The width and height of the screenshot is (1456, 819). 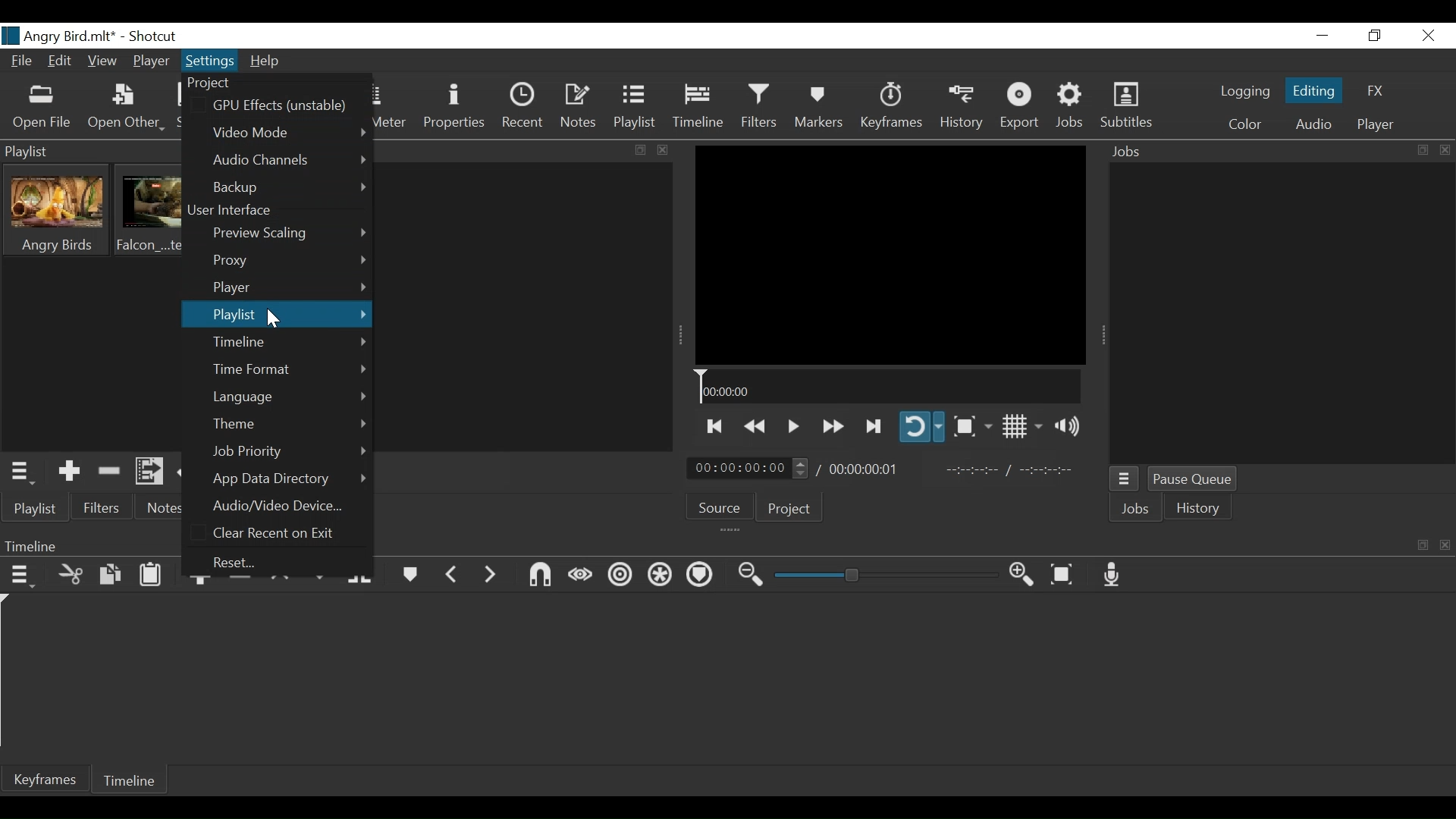 I want to click on Project, so click(x=789, y=509).